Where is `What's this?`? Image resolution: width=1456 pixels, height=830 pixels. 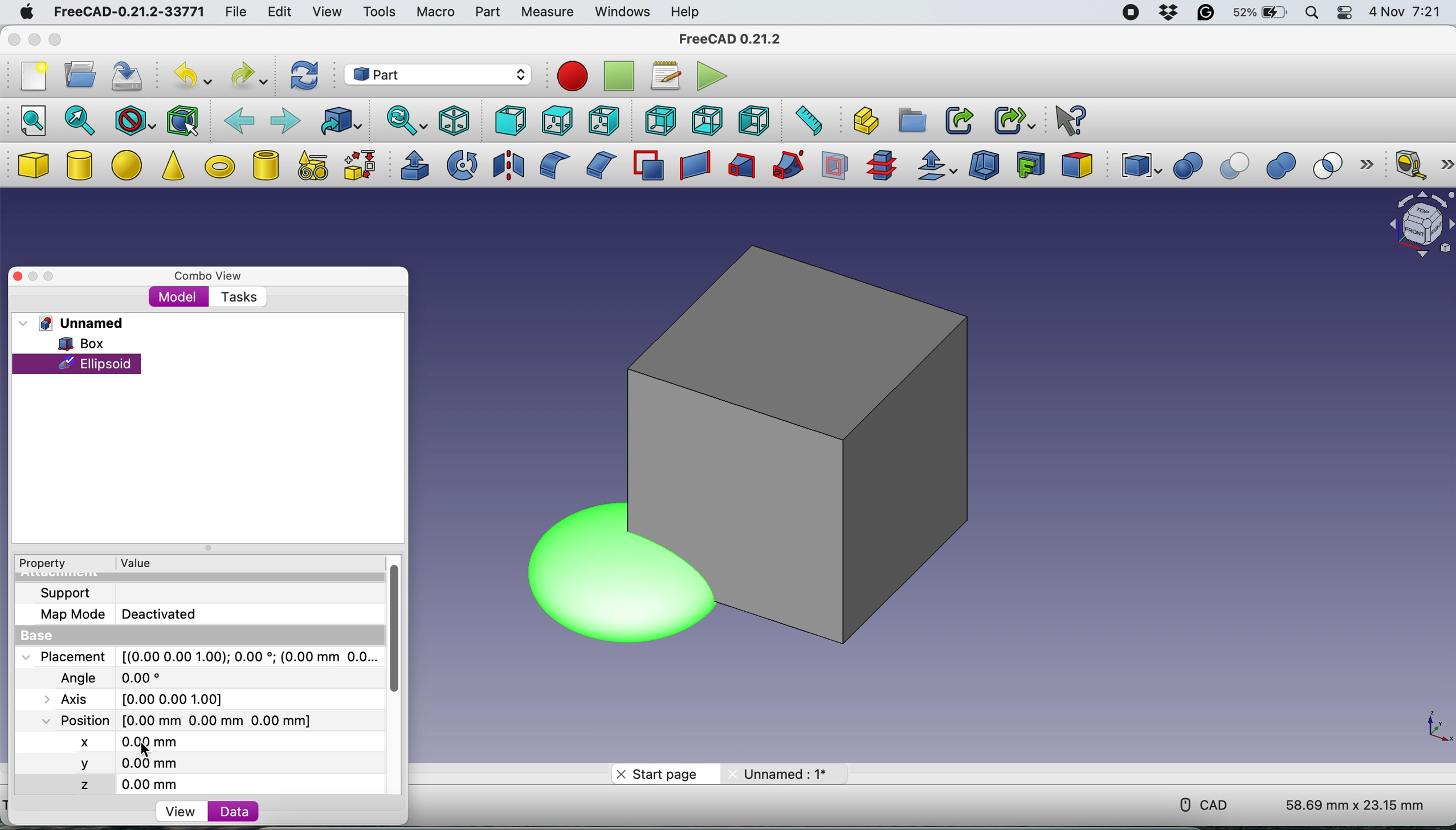
What's this? is located at coordinates (1068, 119).